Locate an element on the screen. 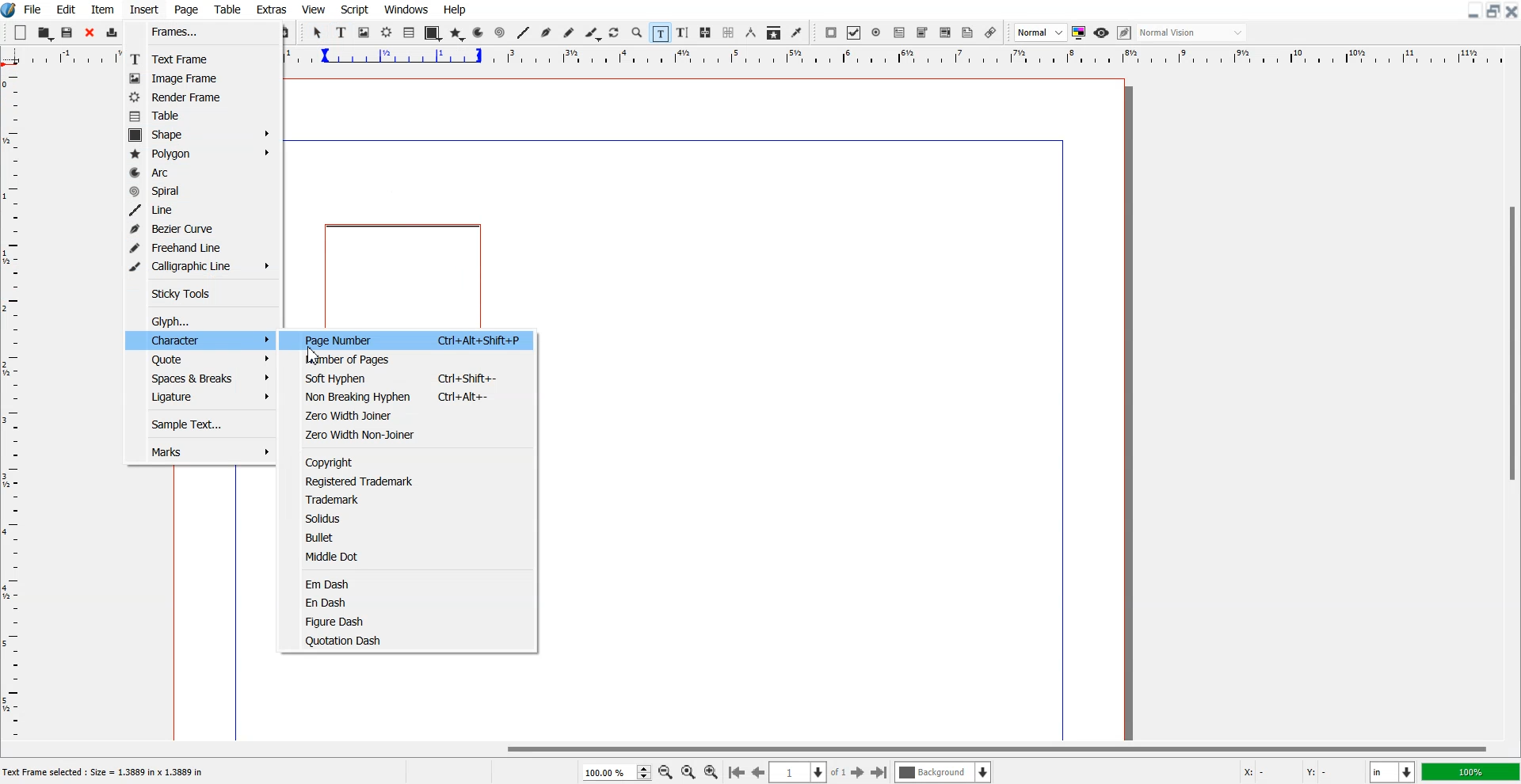  Quote is located at coordinates (200, 357).